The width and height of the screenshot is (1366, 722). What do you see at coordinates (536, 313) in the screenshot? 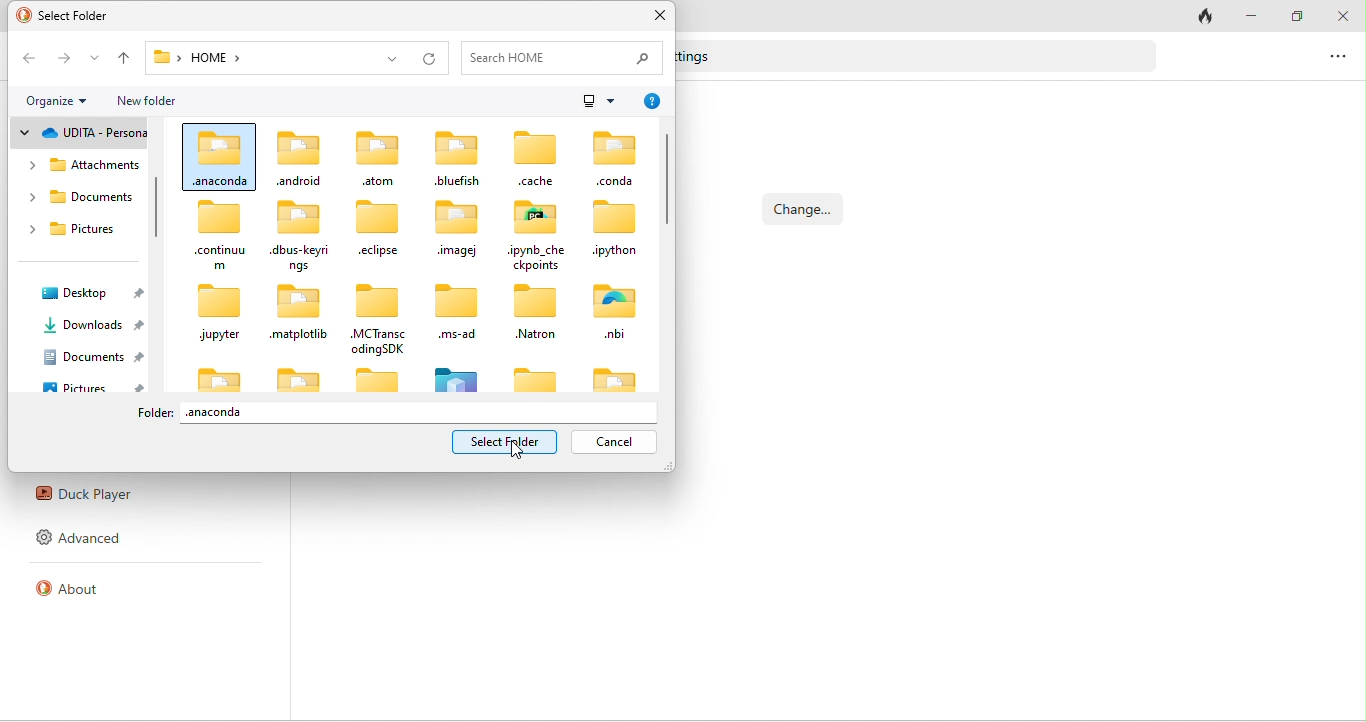
I see `.Natron` at bounding box center [536, 313].